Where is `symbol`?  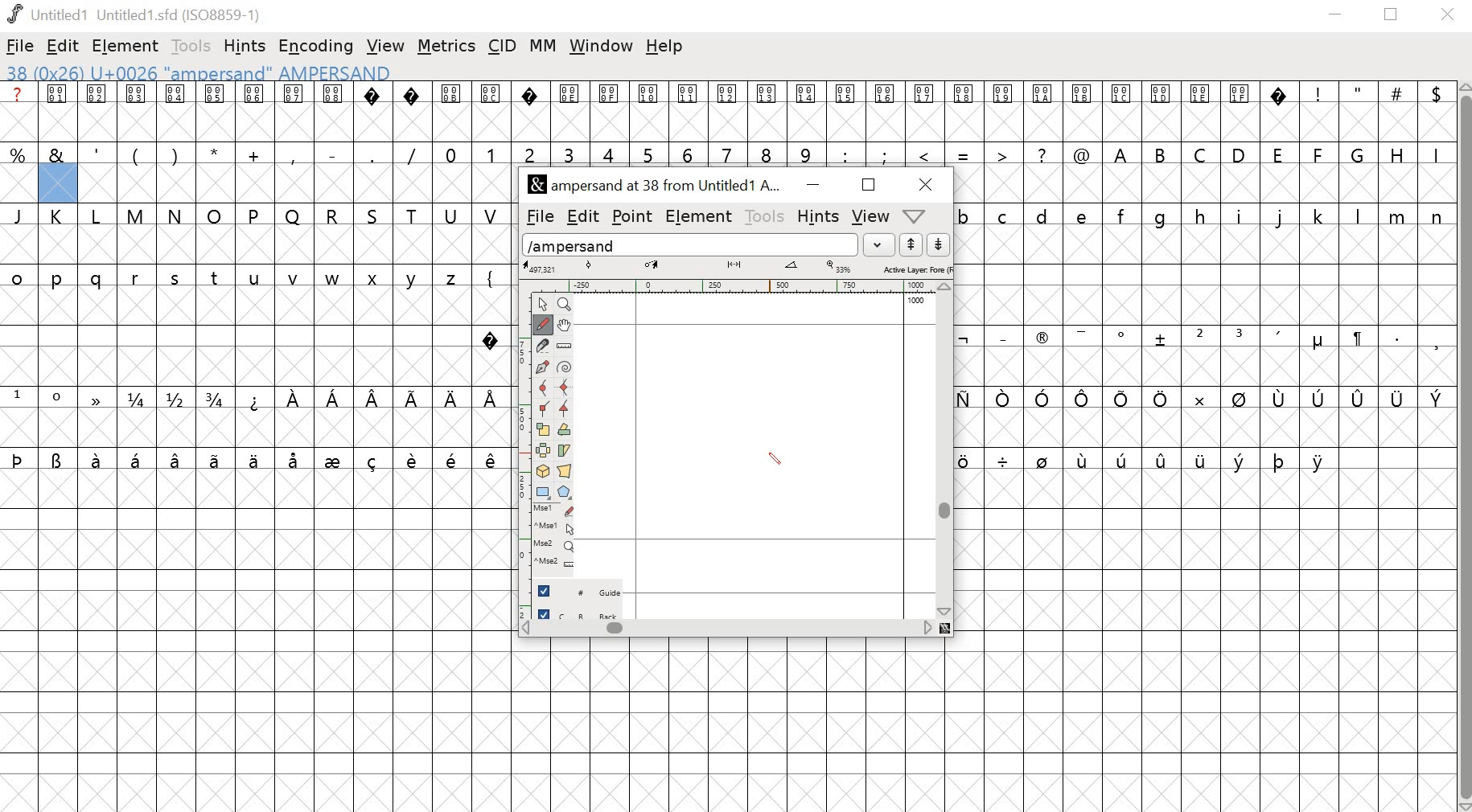 symbol is located at coordinates (253, 459).